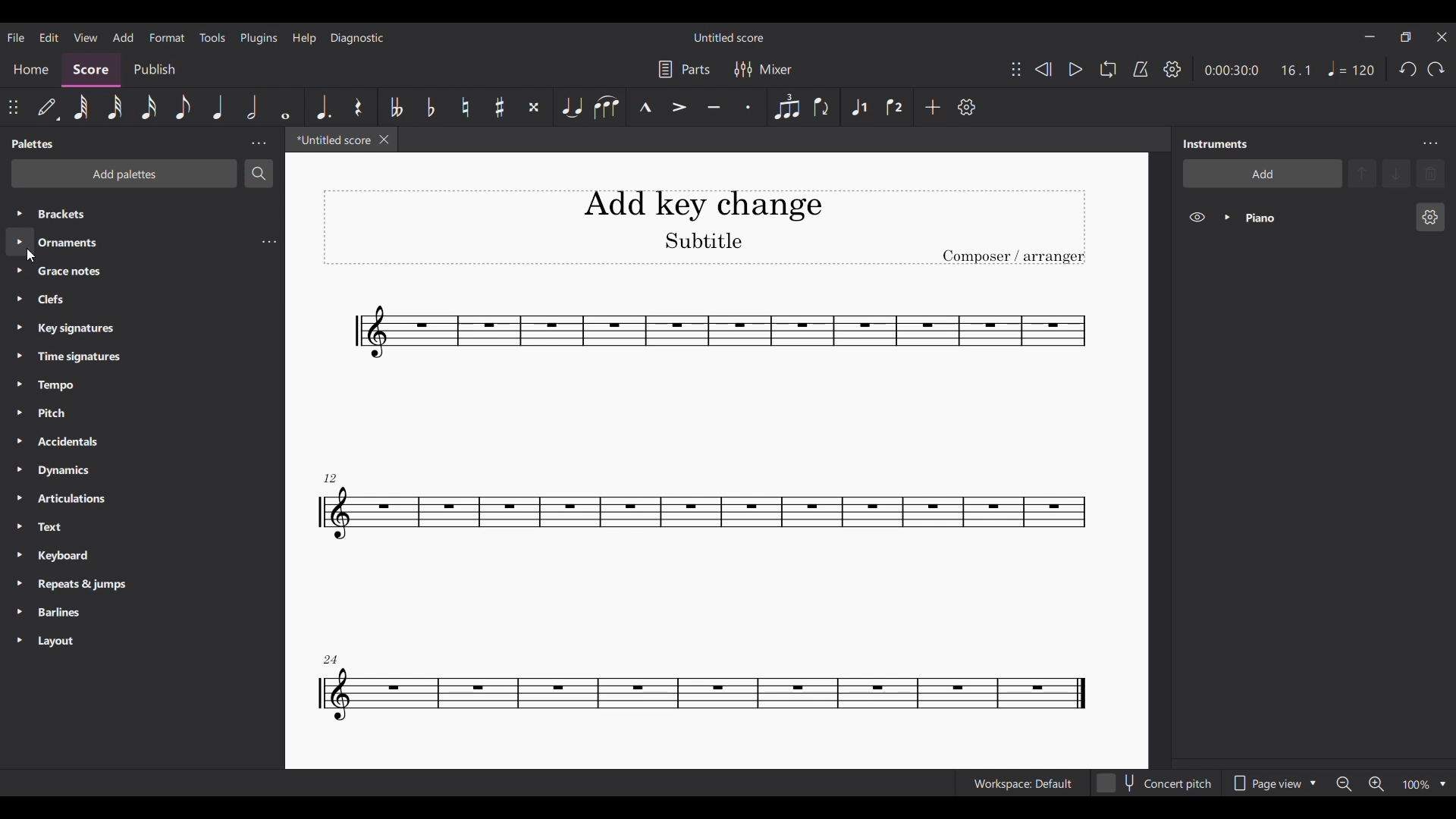  Describe the element at coordinates (1351, 68) in the screenshot. I see `Quarter note` at that location.